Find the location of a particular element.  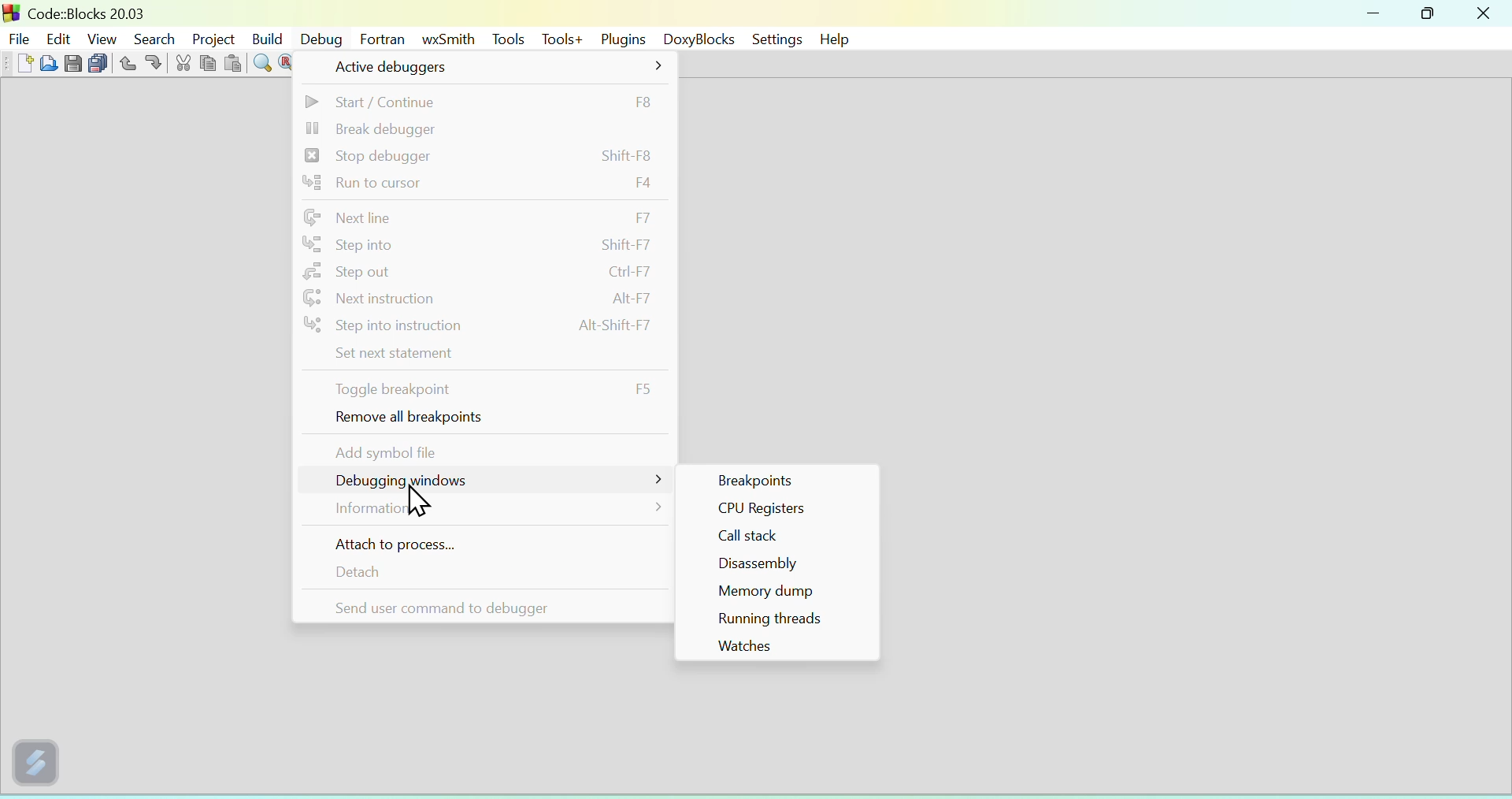

break debugger is located at coordinates (480, 128).